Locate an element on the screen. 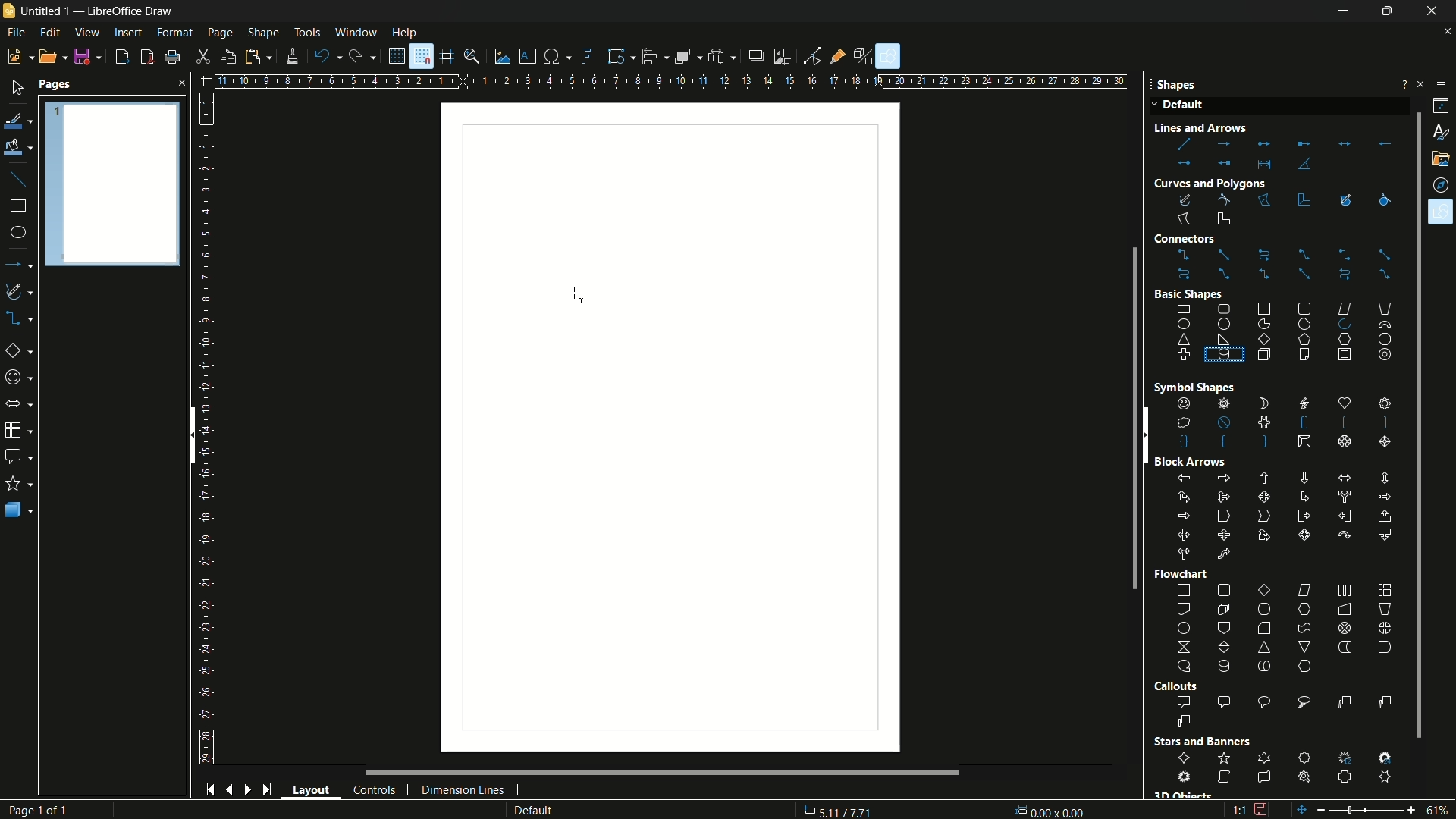 The height and width of the screenshot is (819, 1456). export is located at coordinates (123, 58).